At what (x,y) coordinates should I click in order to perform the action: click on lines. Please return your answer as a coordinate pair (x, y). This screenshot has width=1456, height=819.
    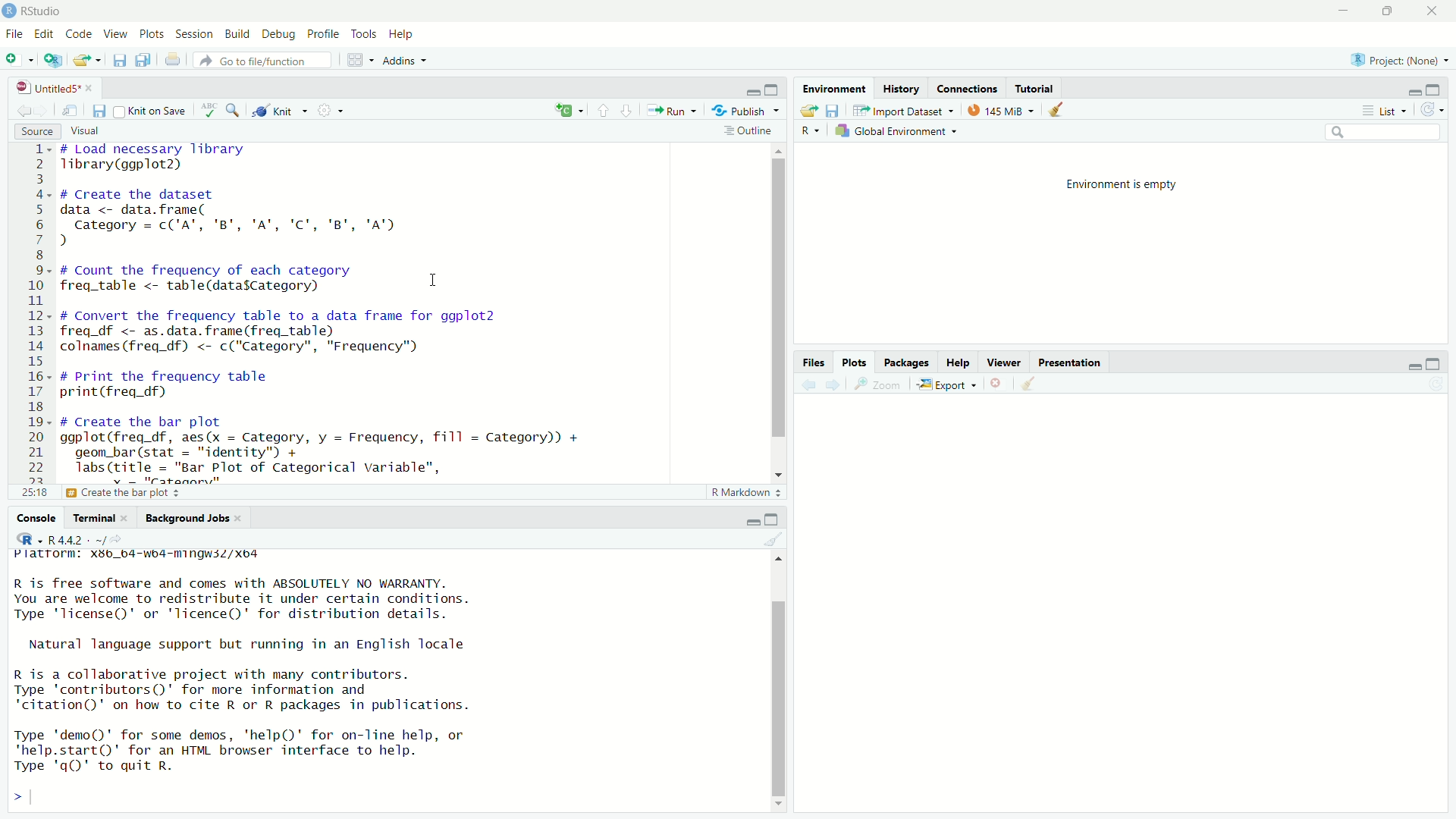
    Looking at the image, I should click on (35, 322).